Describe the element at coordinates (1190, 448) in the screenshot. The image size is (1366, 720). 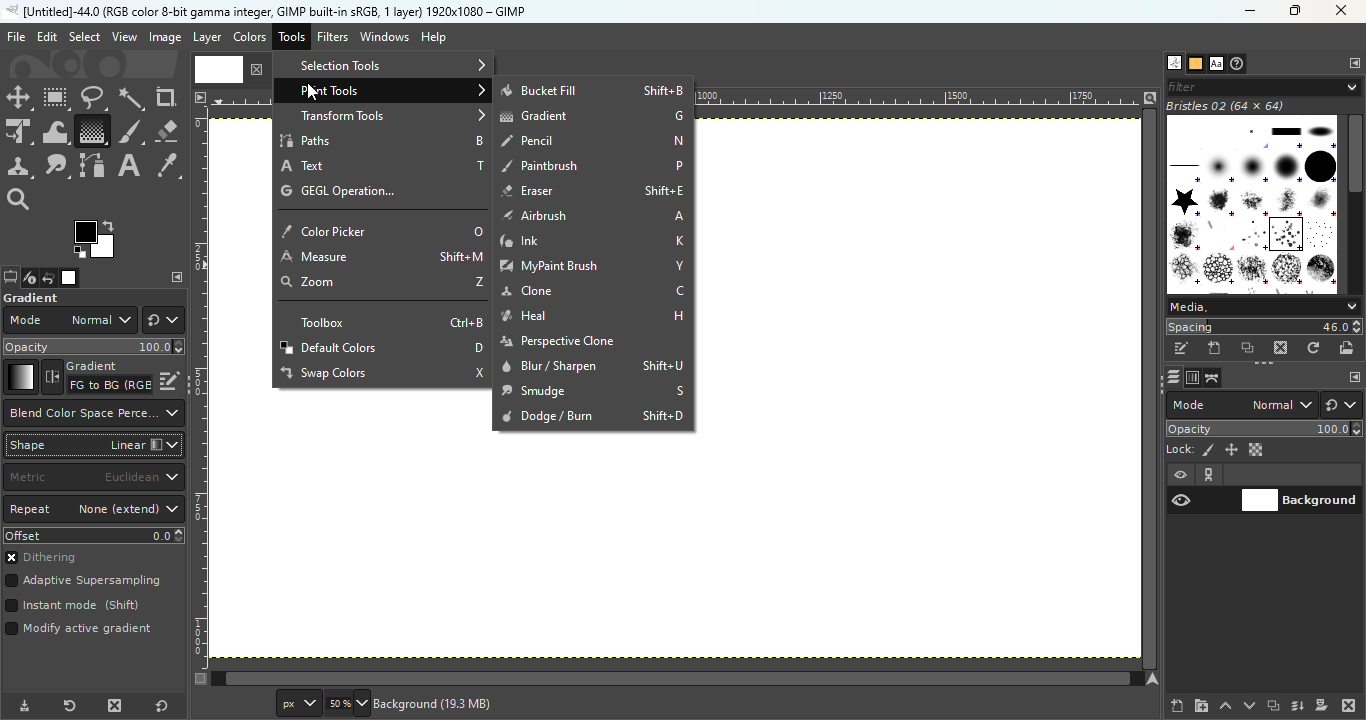
I see `Lock pixels` at that location.